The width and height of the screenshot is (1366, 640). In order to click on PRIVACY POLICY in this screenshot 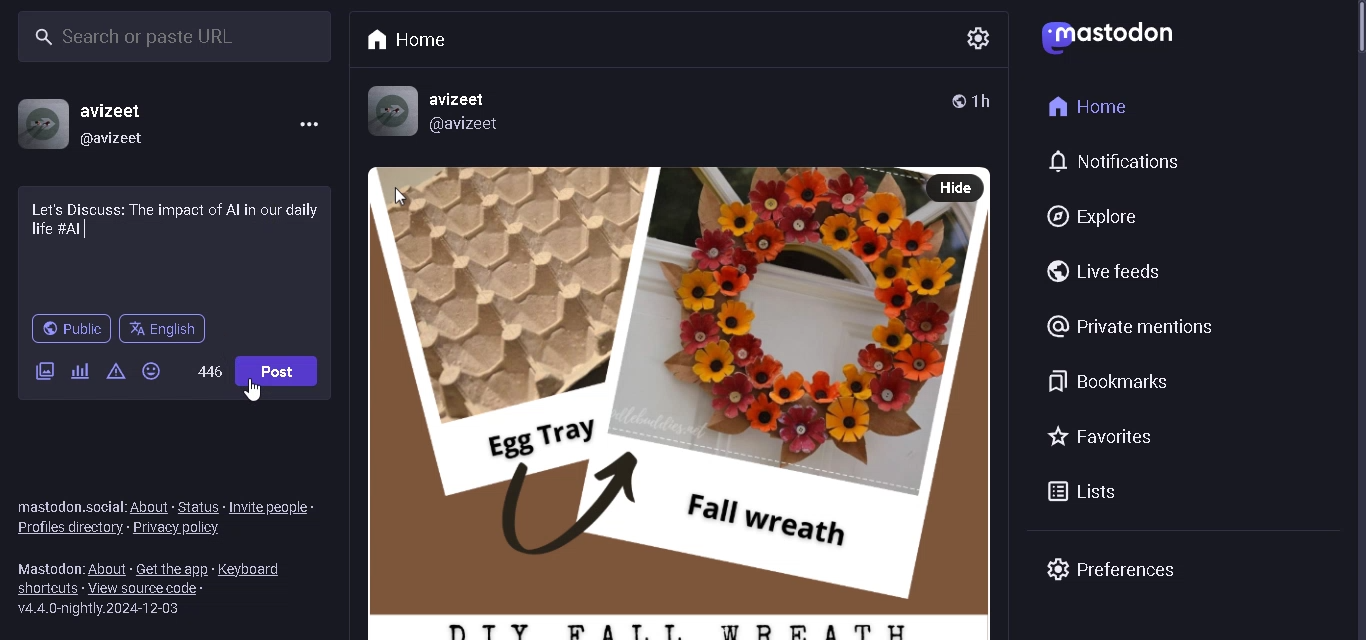, I will do `click(179, 533)`.